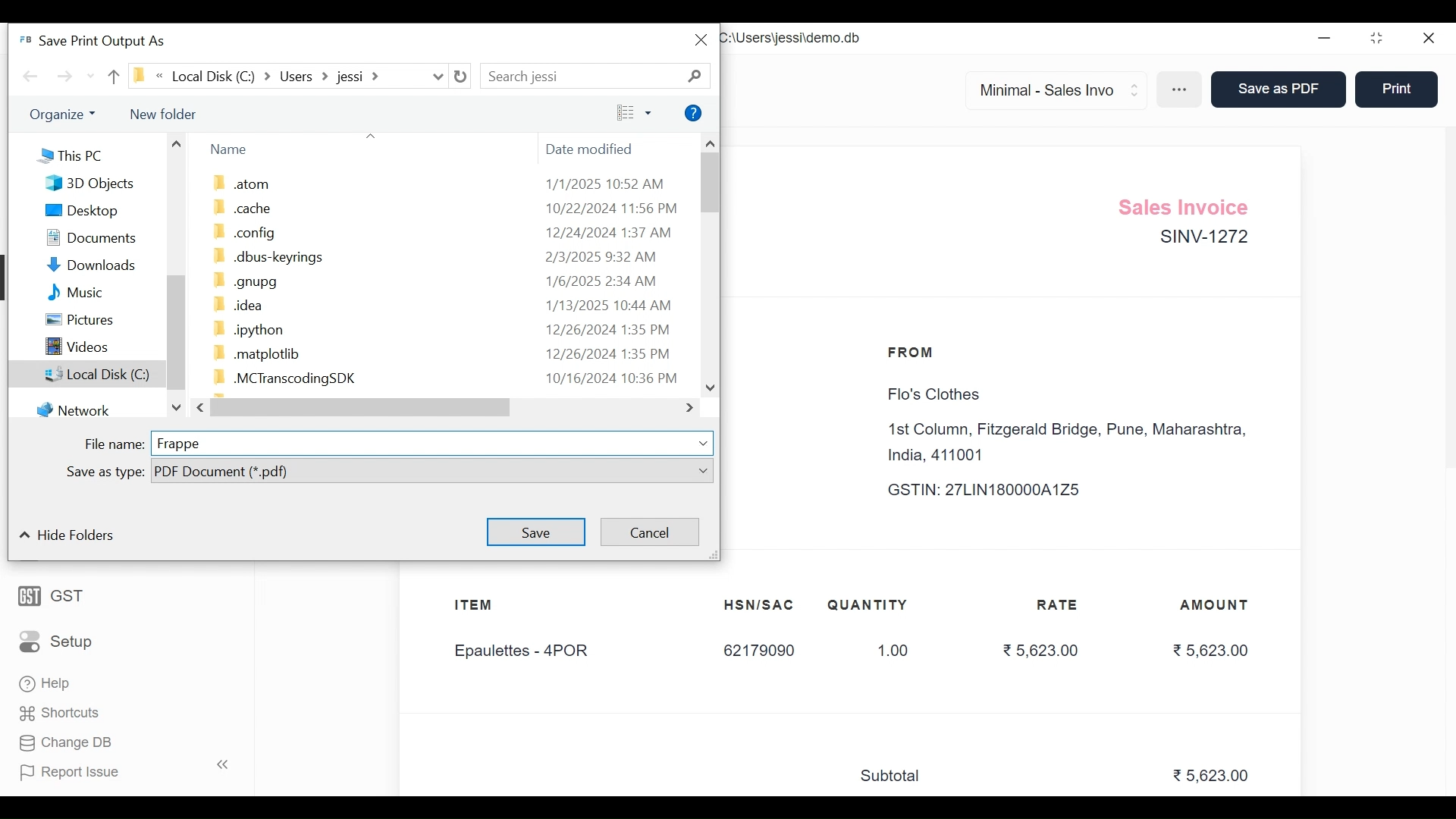  Describe the element at coordinates (530, 652) in the screenshot. I see `Epaulettes - 4POR` at that location.